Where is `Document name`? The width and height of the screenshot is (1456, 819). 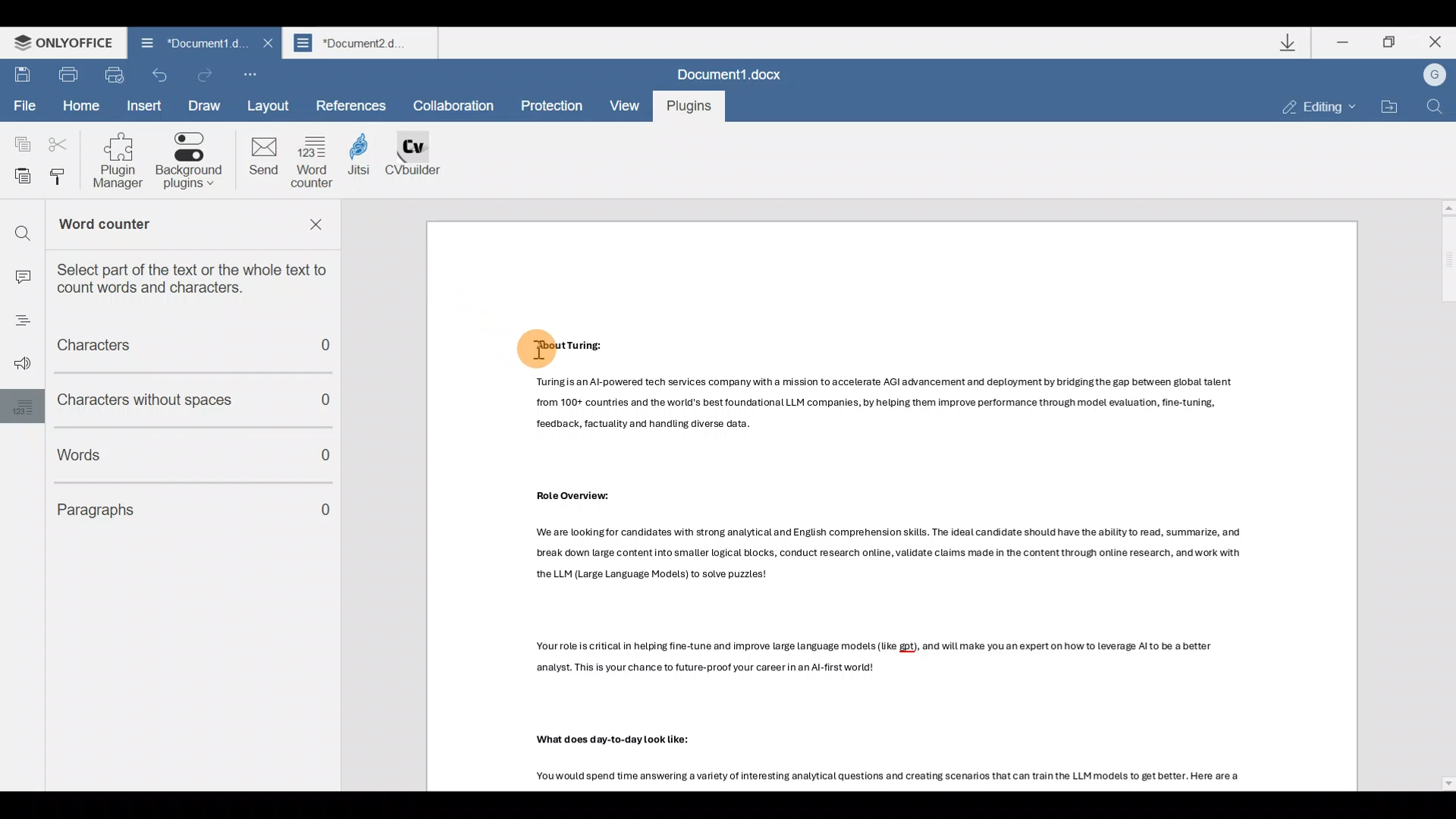 Document name is located at coordinates (362, 42).